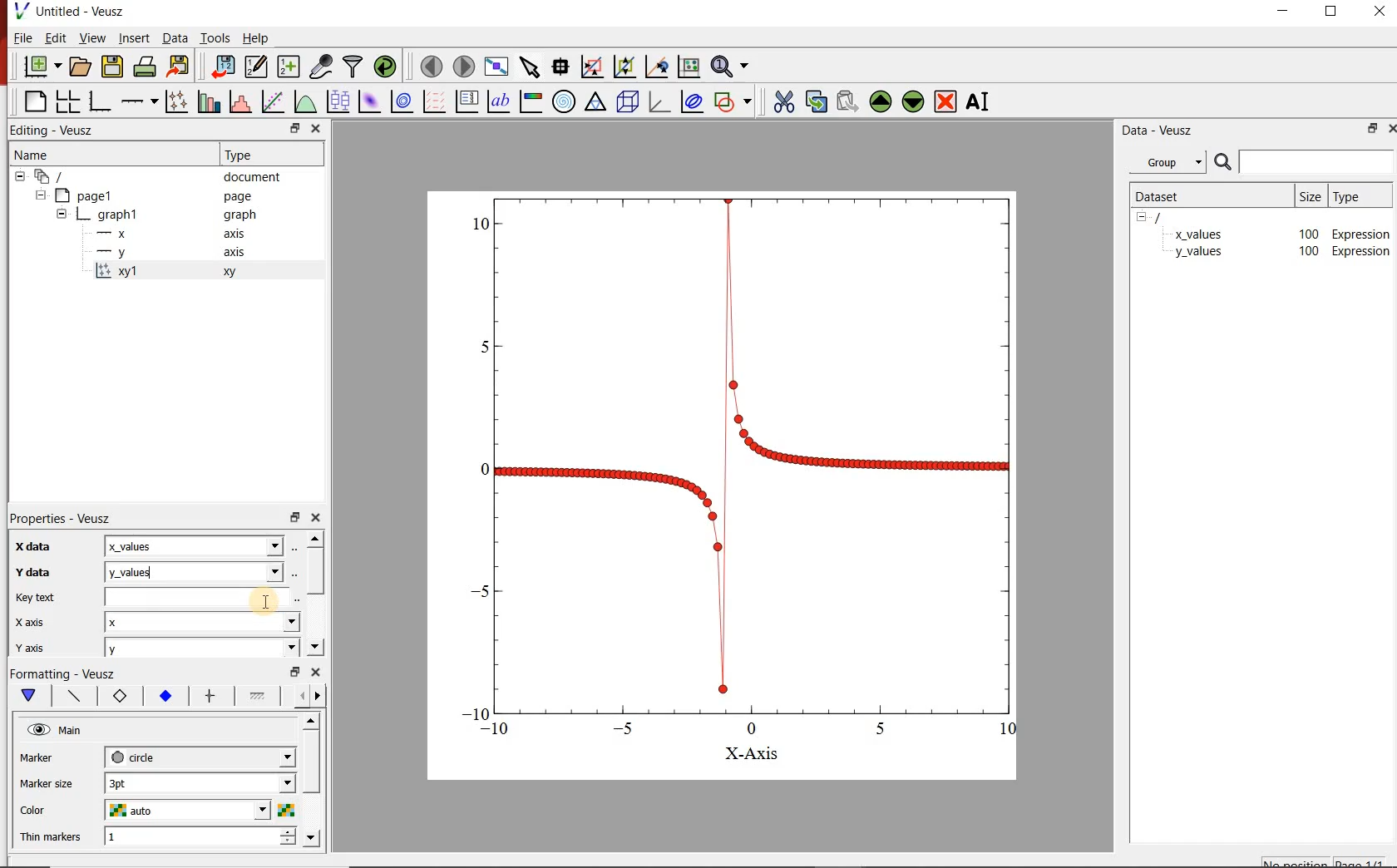 The width and height of the screenshot is (1397, 868). I want to click on create new datasets using ranges, parametrically or as functions of existing datasets, so click(291, 67).